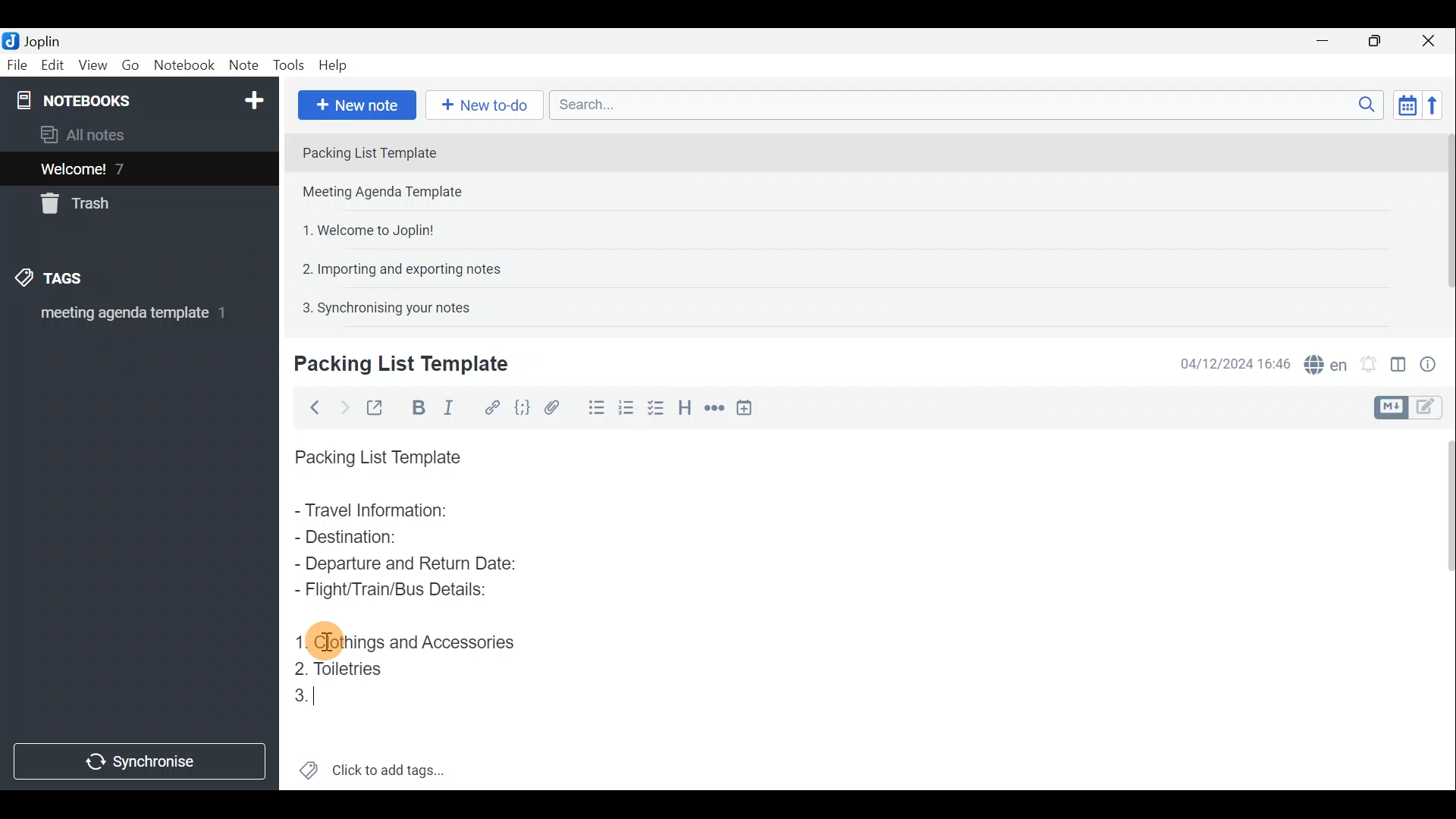 This screenshot has height=819, width=1456. I want to click on Note 3, so click(362, 228).